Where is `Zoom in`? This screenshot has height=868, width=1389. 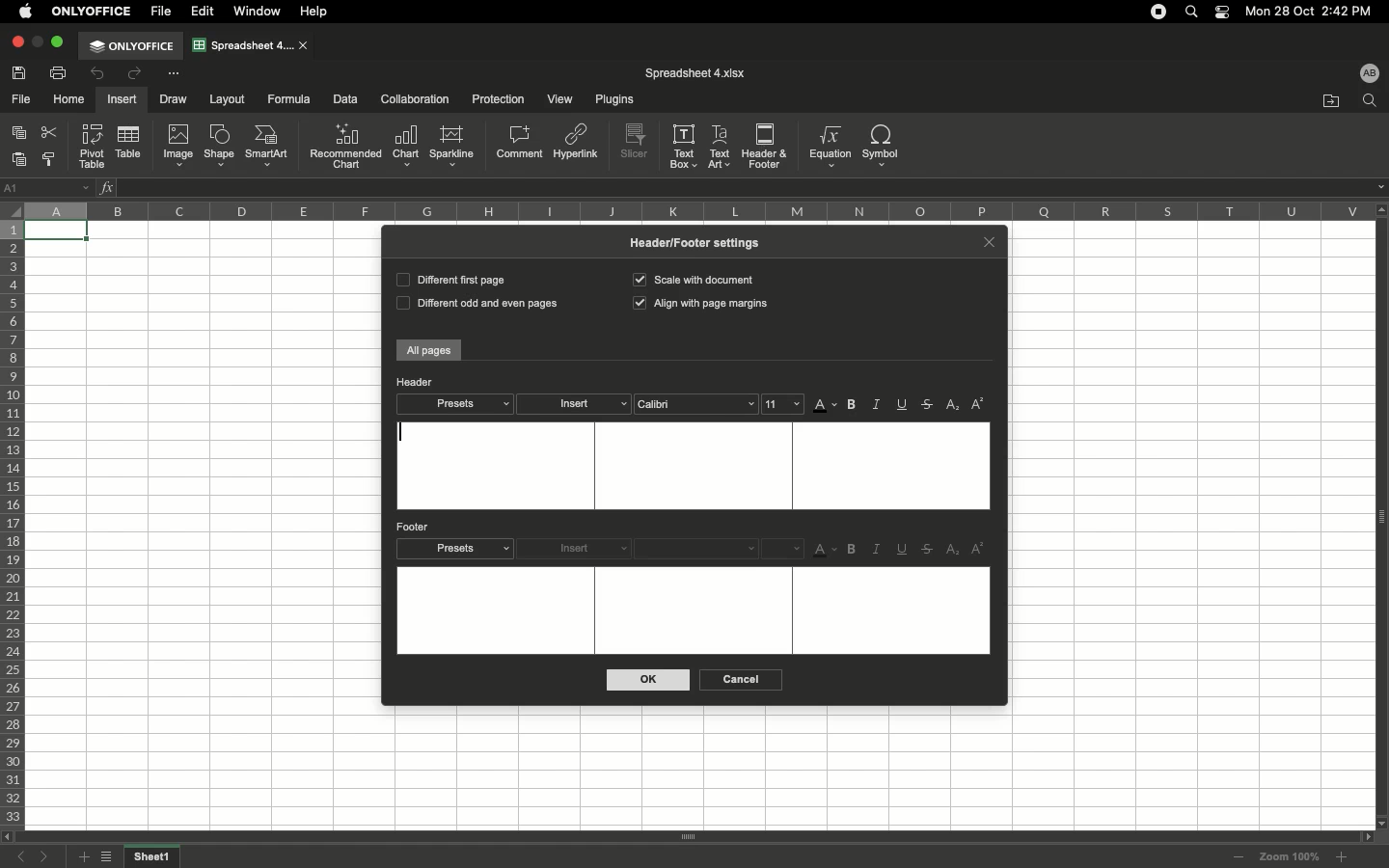 Zoom in is located at coordinates (1341, 857).